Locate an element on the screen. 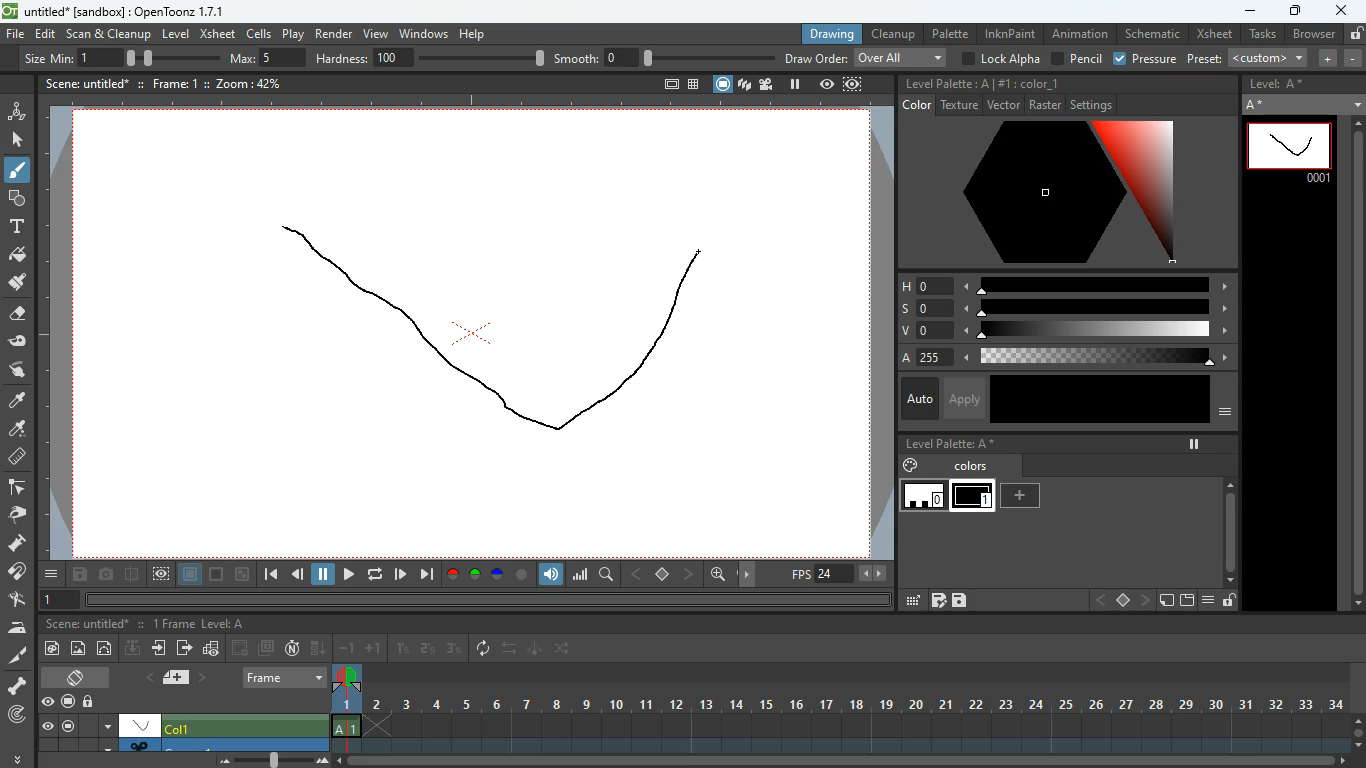 The image size is (1366, 768). more options is located at coordinates (108, 725).